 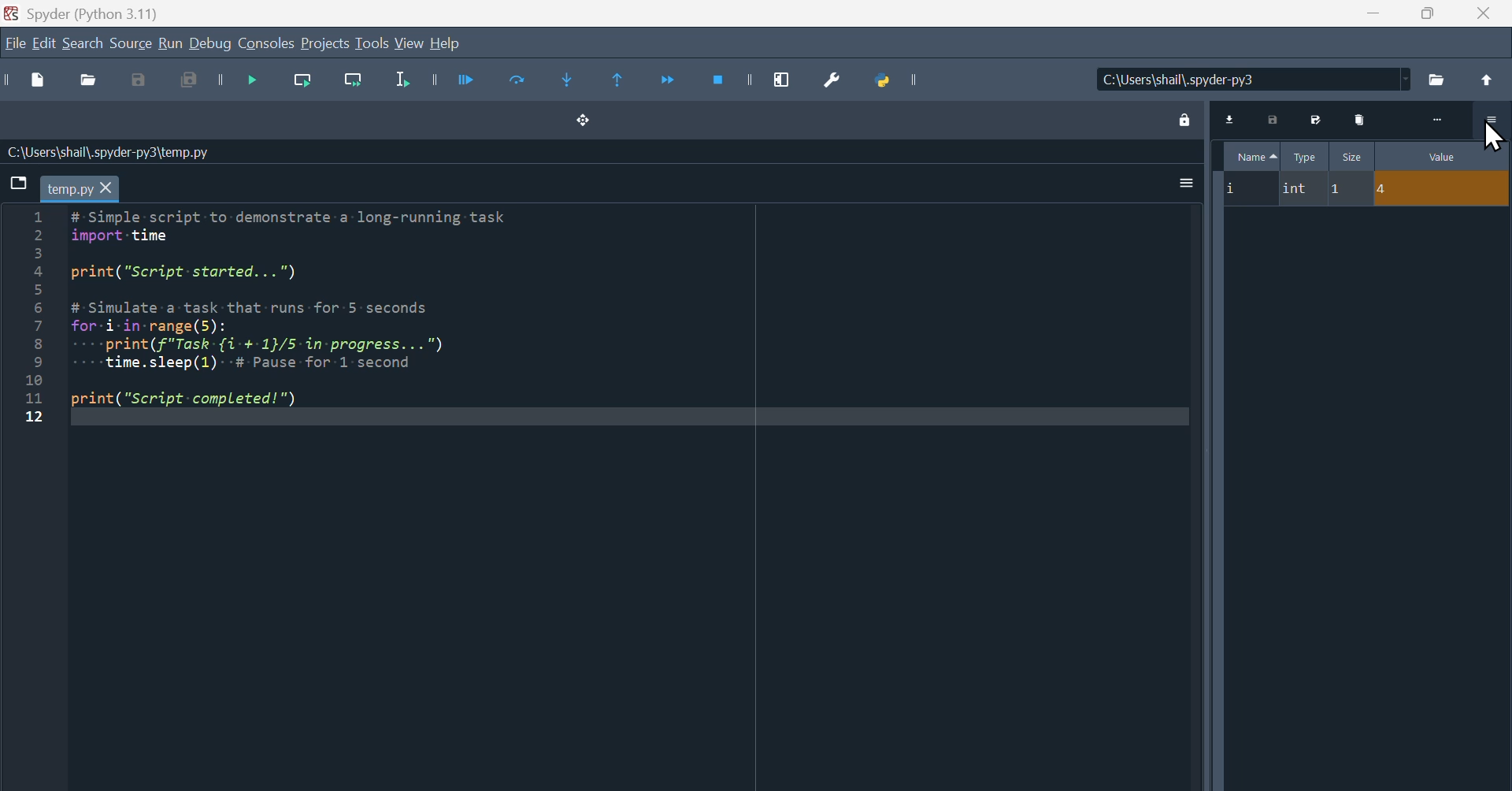 I want to click on Simple script to demonstrate a long running task, so click(x=304, y=309).